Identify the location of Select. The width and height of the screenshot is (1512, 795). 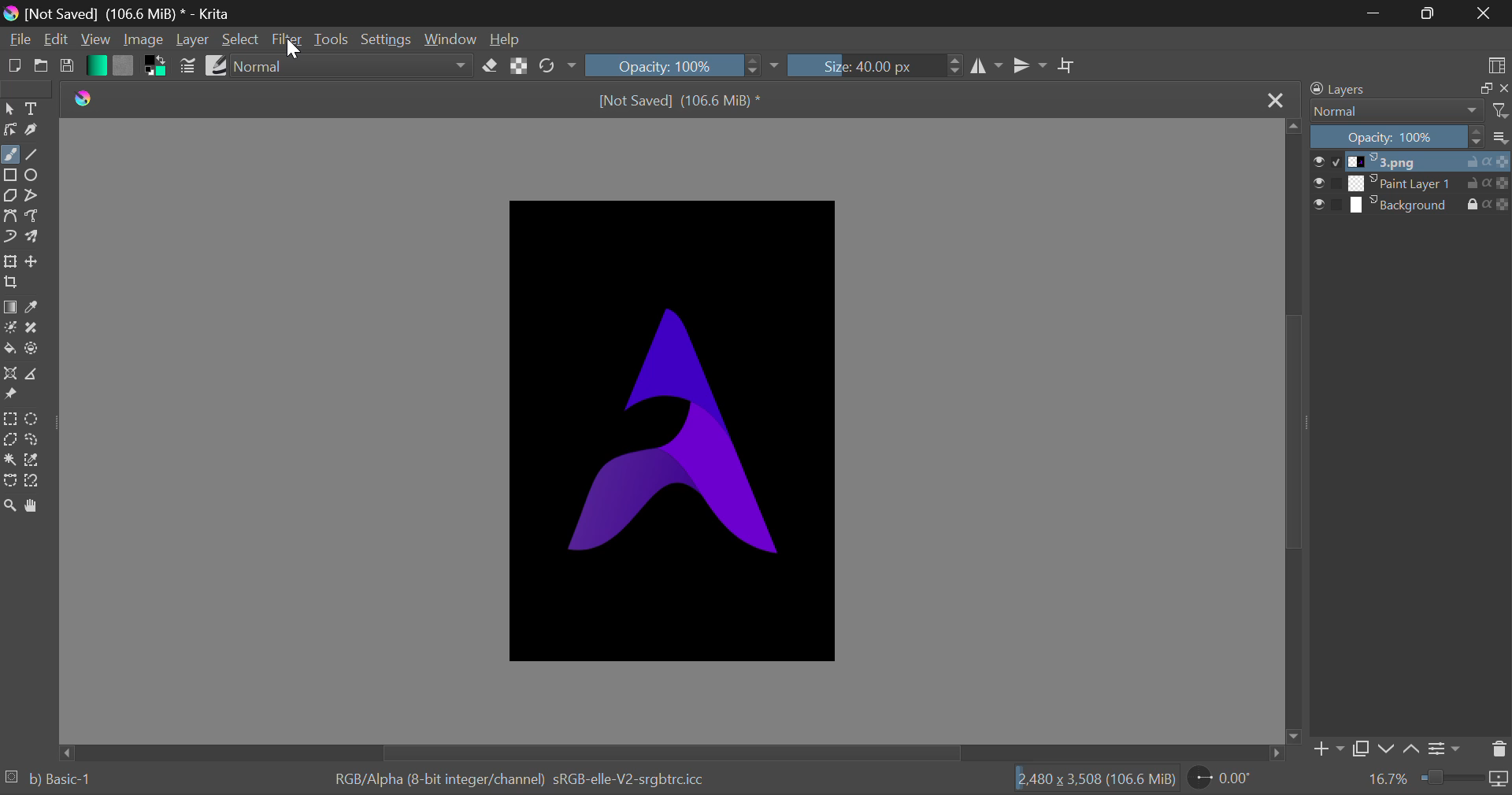
(9, 110).